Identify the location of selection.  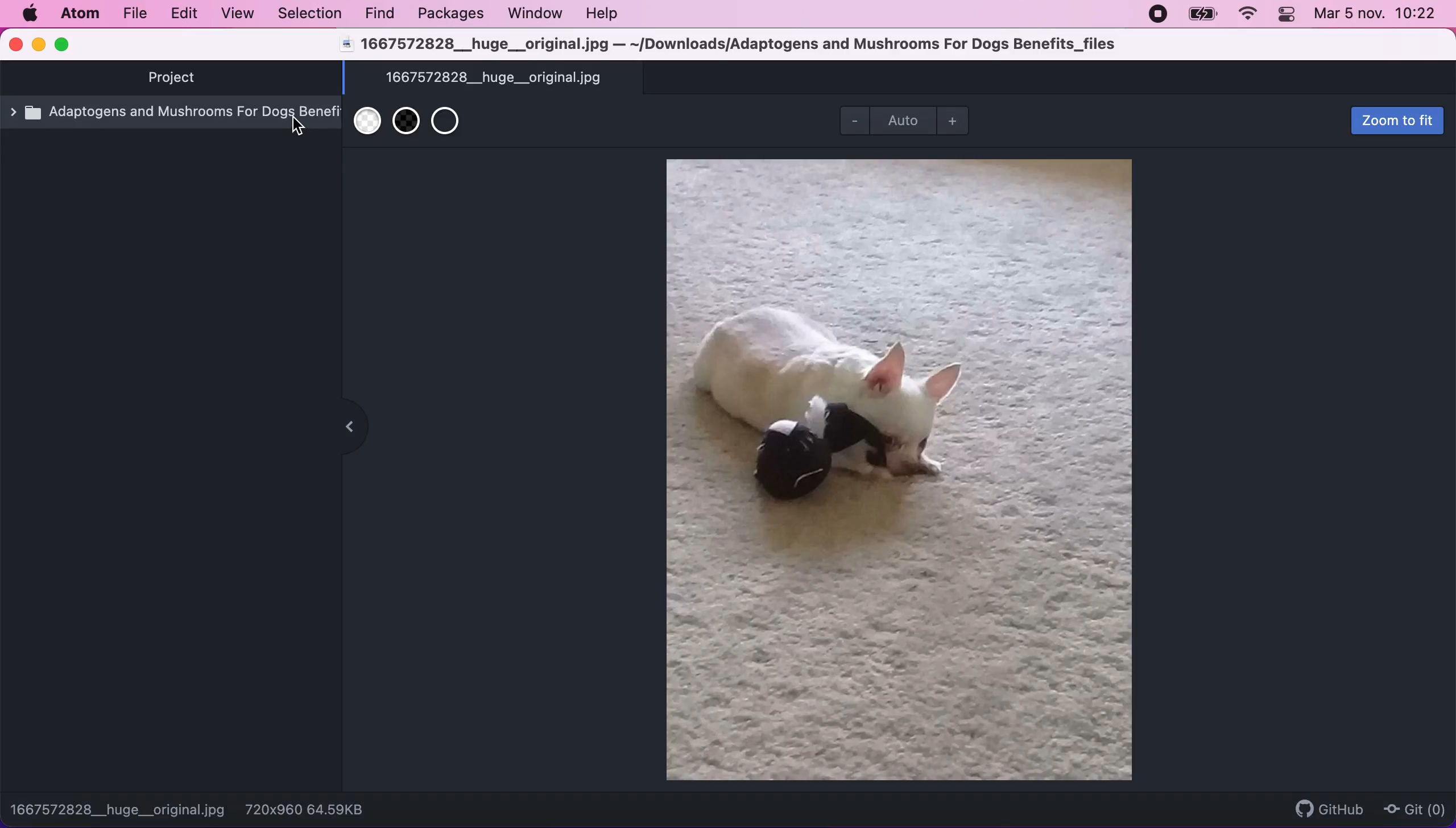
(308, 14).